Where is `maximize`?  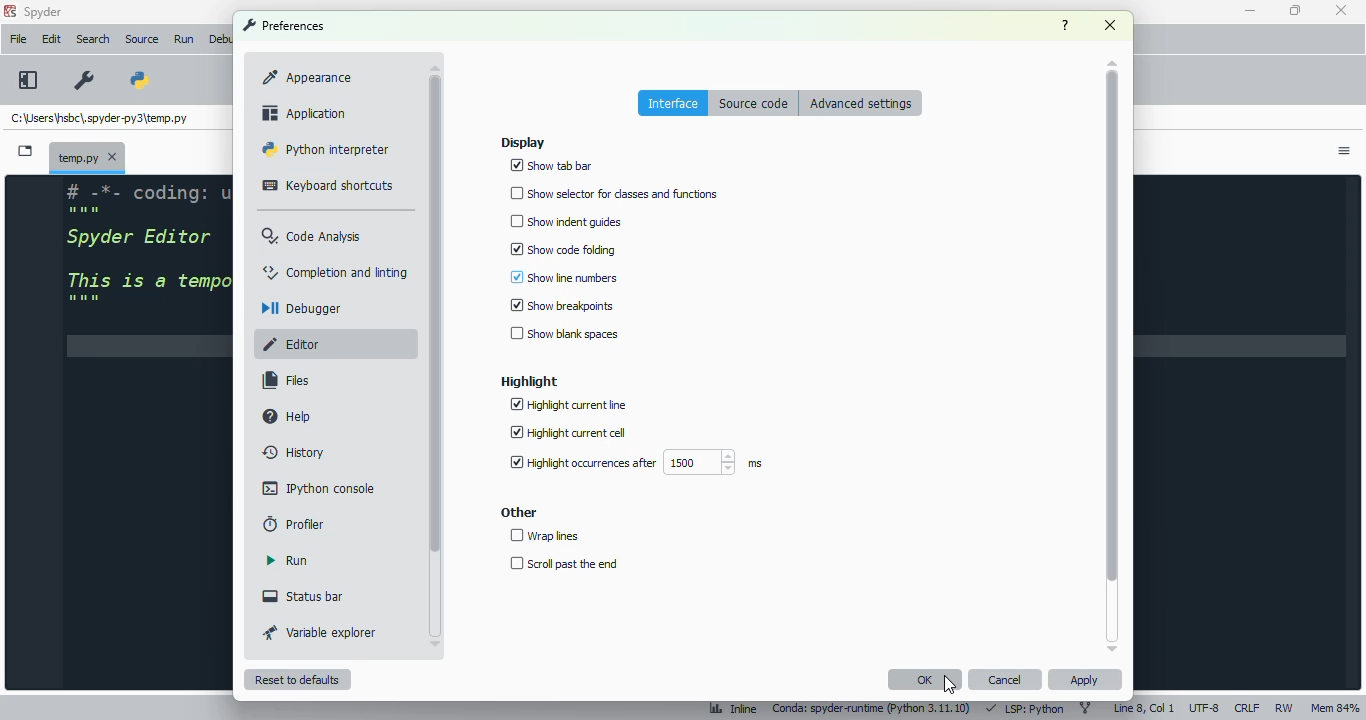 maximize is located at coordinates (1293, 10).